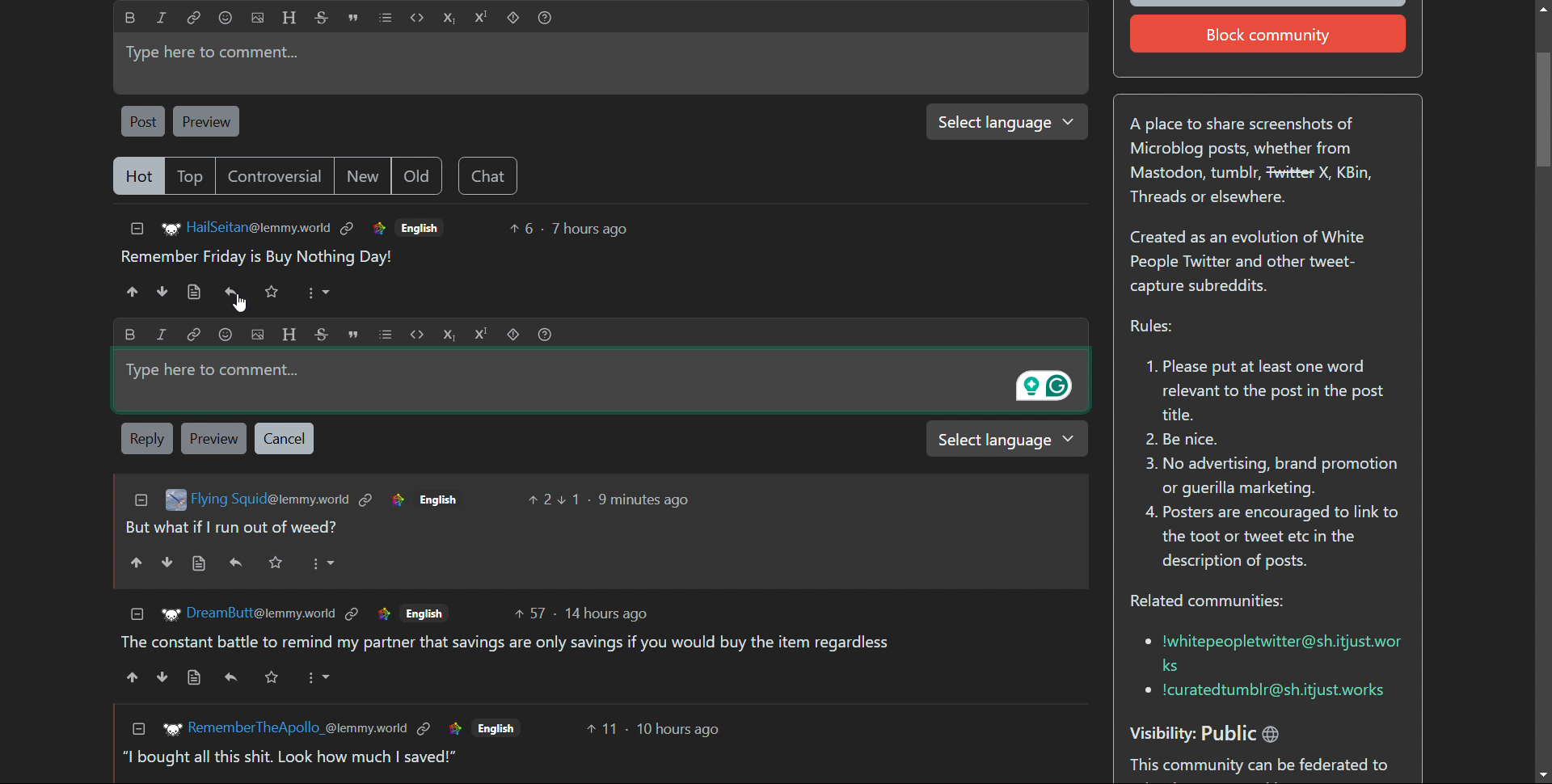 This screenshot has width=1552, height=784. I want to click on A place to share screenshots of
Microblog posts, whether from
Mastodon, tumblr, Fwitter X, KBin,
Threads or elsewhere., so click(1260, 164).